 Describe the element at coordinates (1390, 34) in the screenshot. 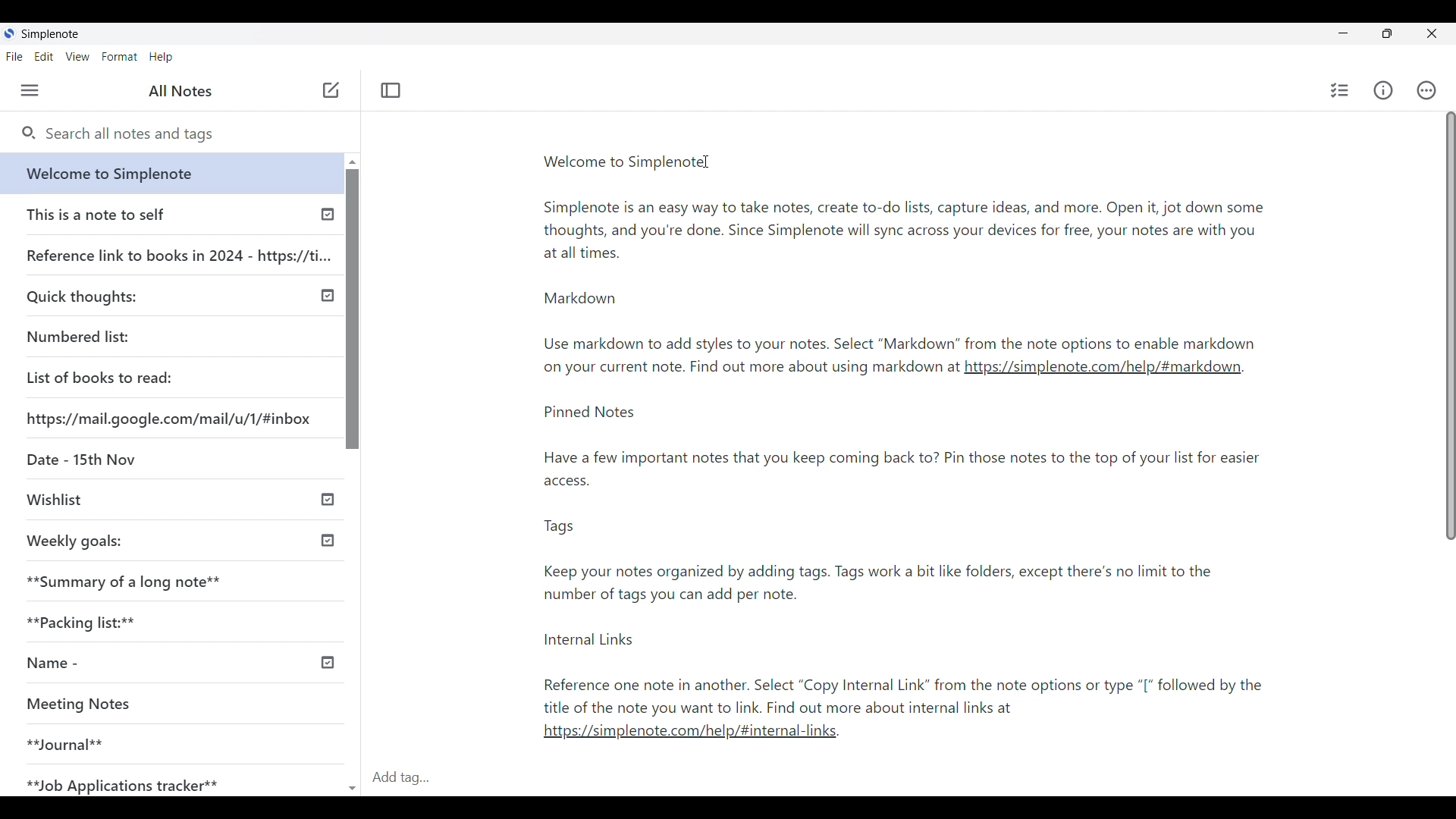

I see `Show interface in smaller tab` at that location.